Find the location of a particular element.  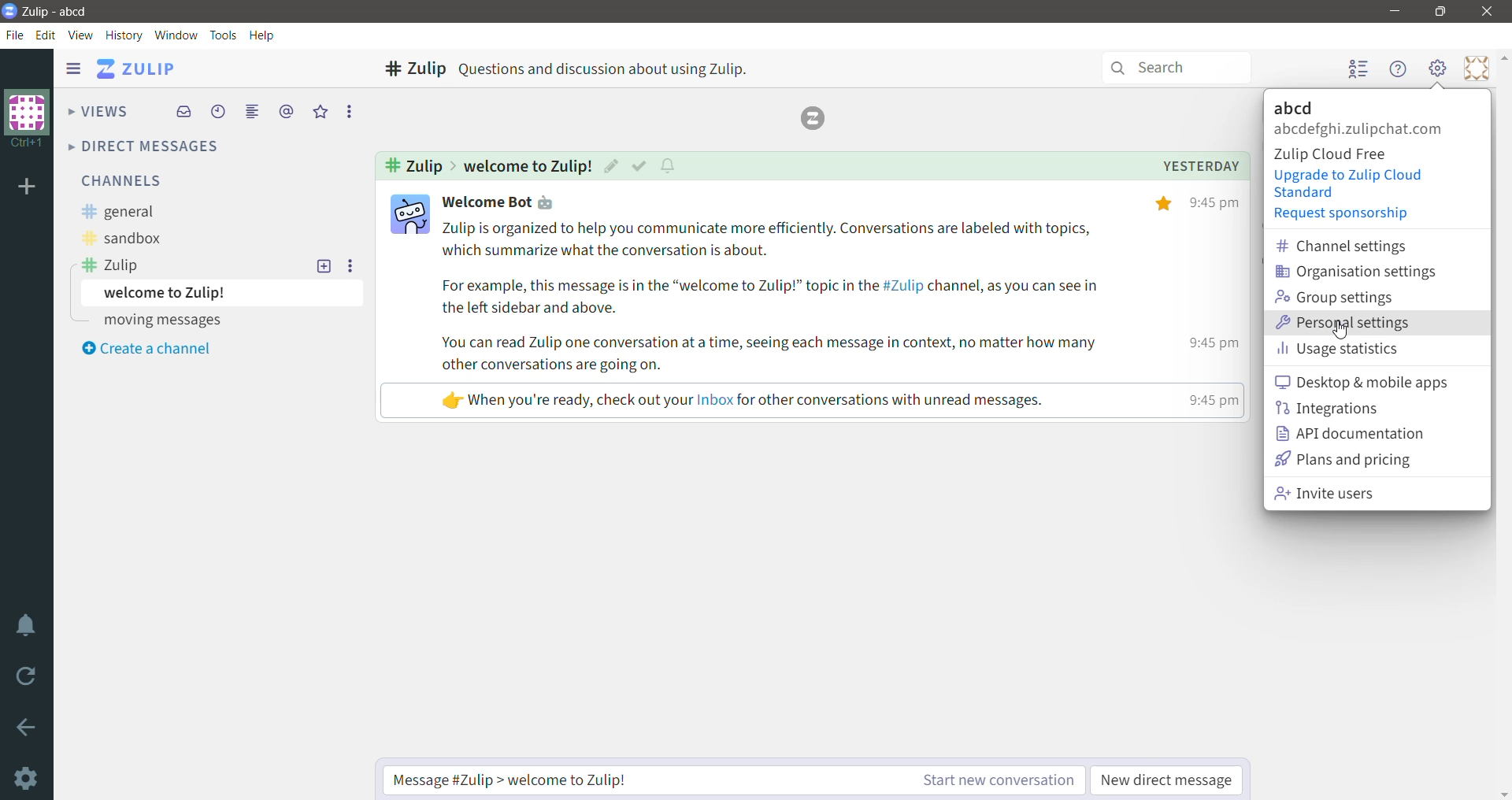

Message Topic is located at coordinates (527, 165).